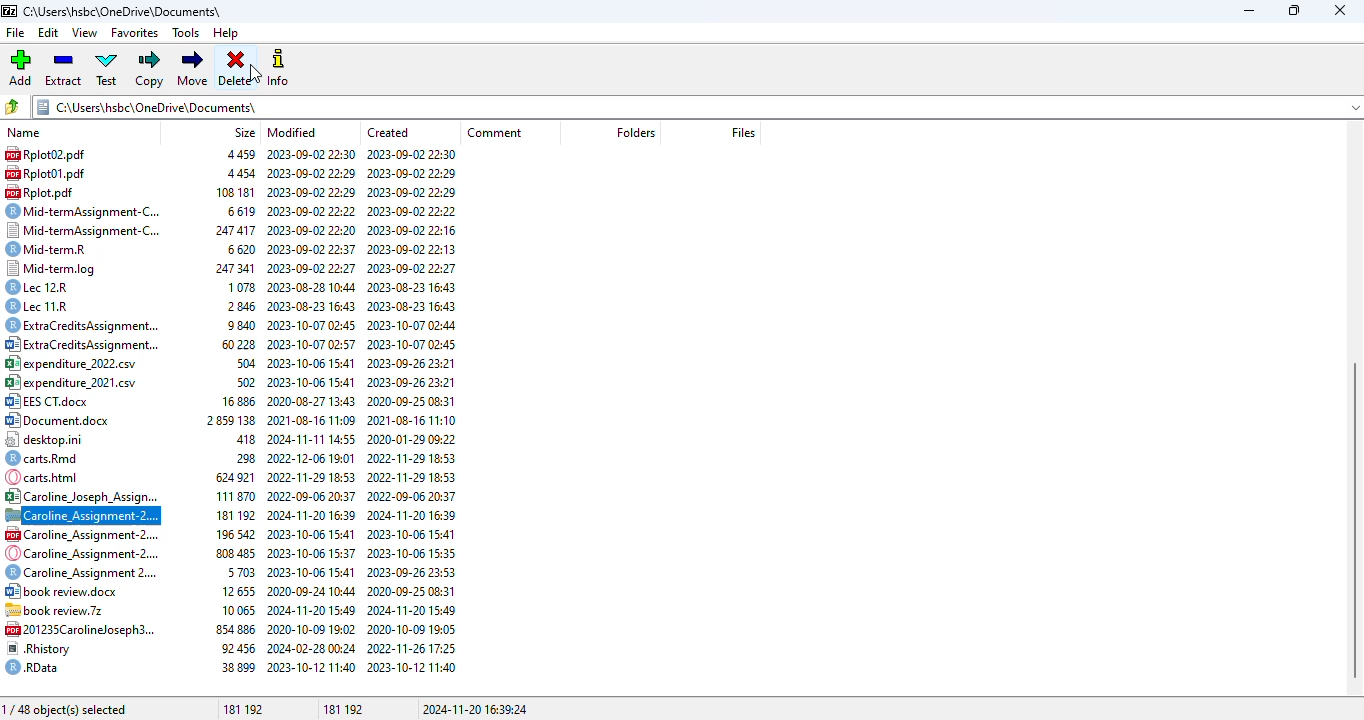  Describe the element at coordinates (10, 12) in the screenshot. I see `7 zip logo` at that location.